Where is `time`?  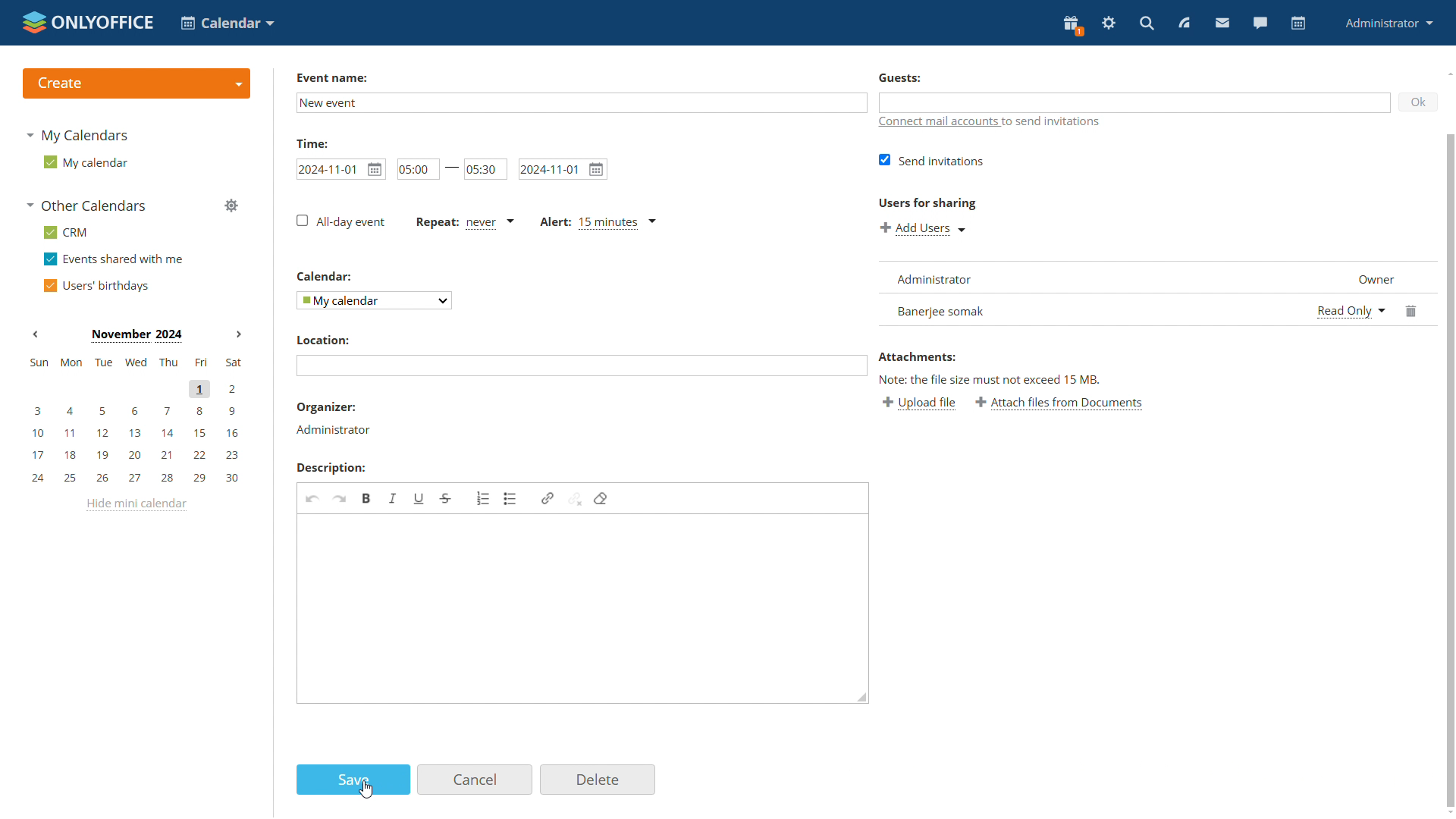 time is located at coordinates (312, 142).